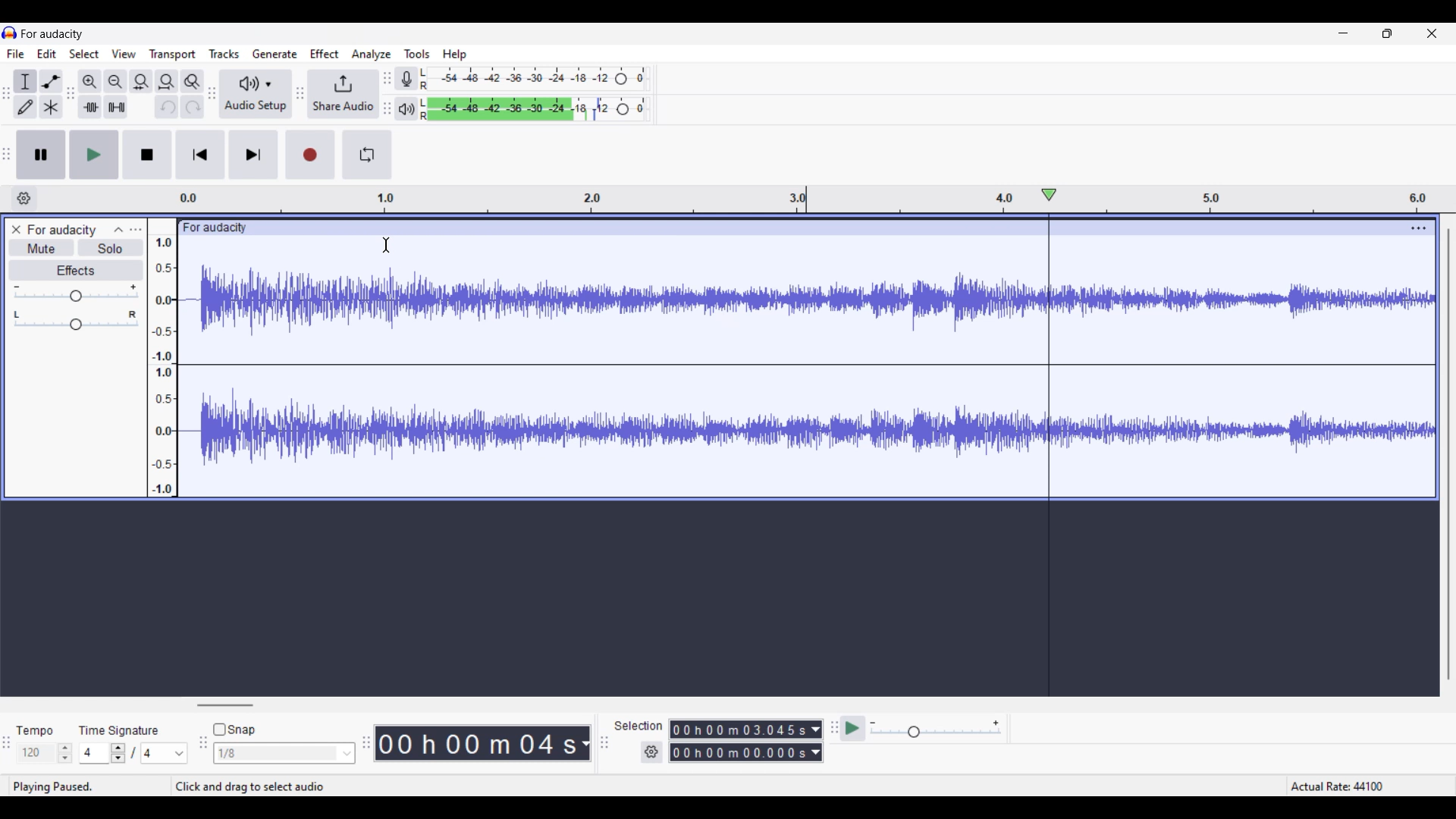 This screenshot has width=1456, height=819. What do you see at coordinates (256, 93) in the screenshot?
I see `Audio setup` at bounding box center [256, 93].